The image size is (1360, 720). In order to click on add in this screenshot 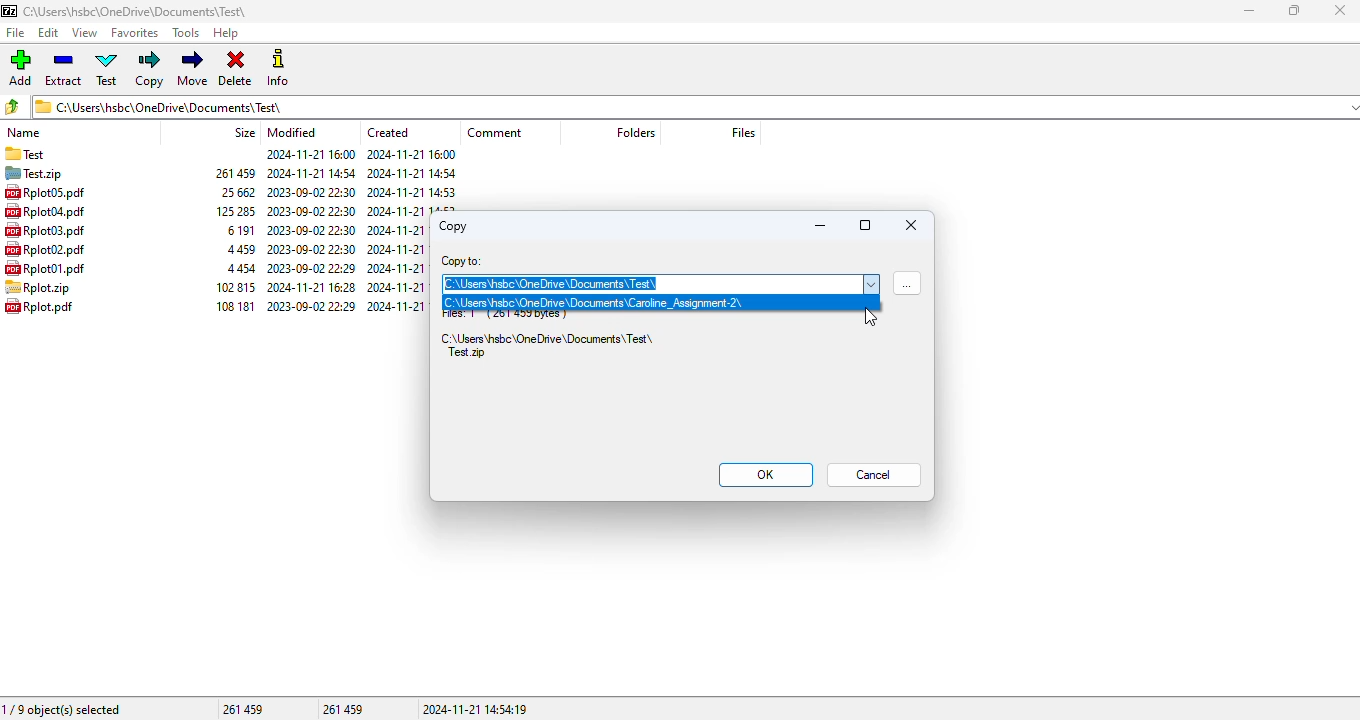, I will do `click(21, 68)`.